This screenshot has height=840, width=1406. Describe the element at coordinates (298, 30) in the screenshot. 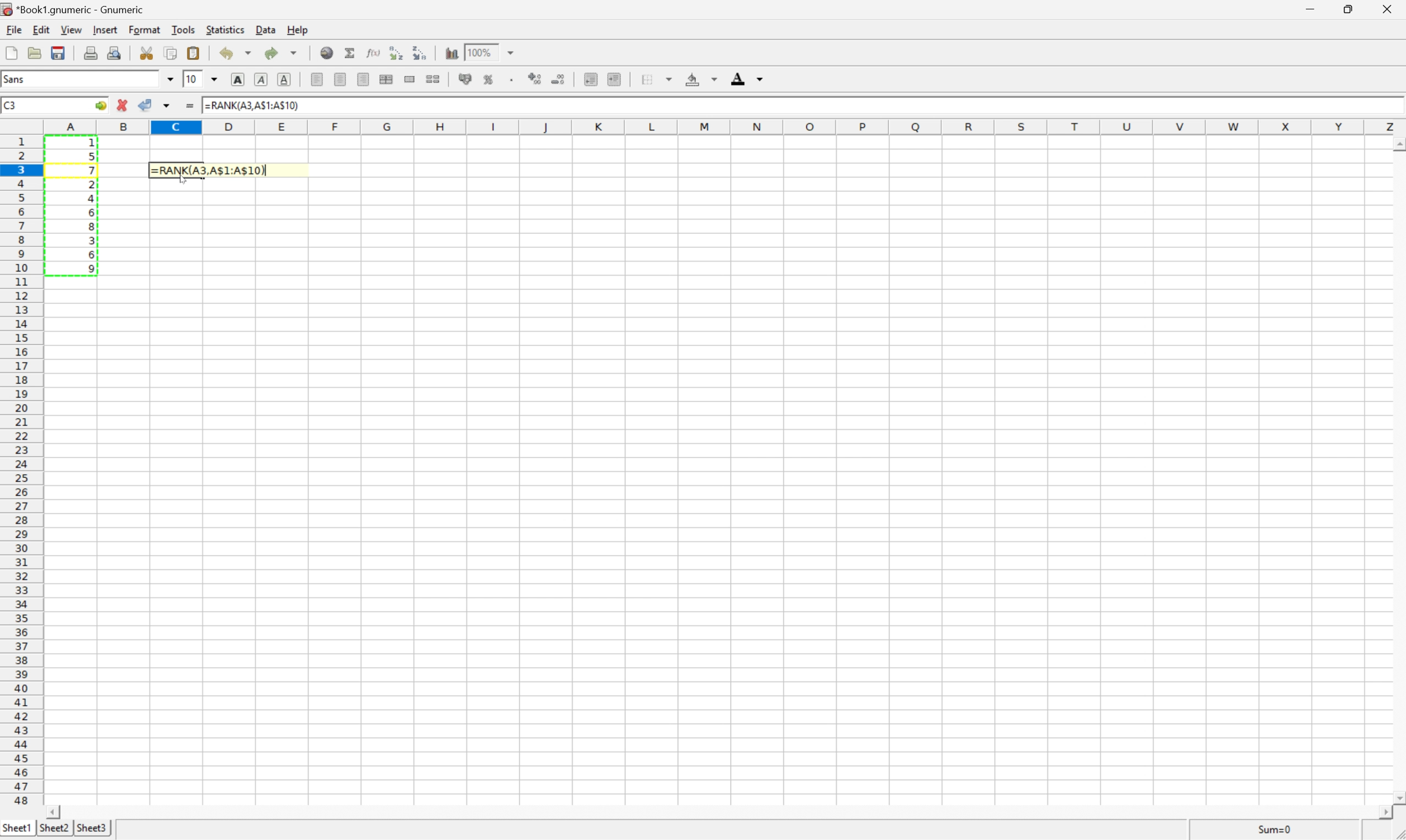

I see `help` at that location.